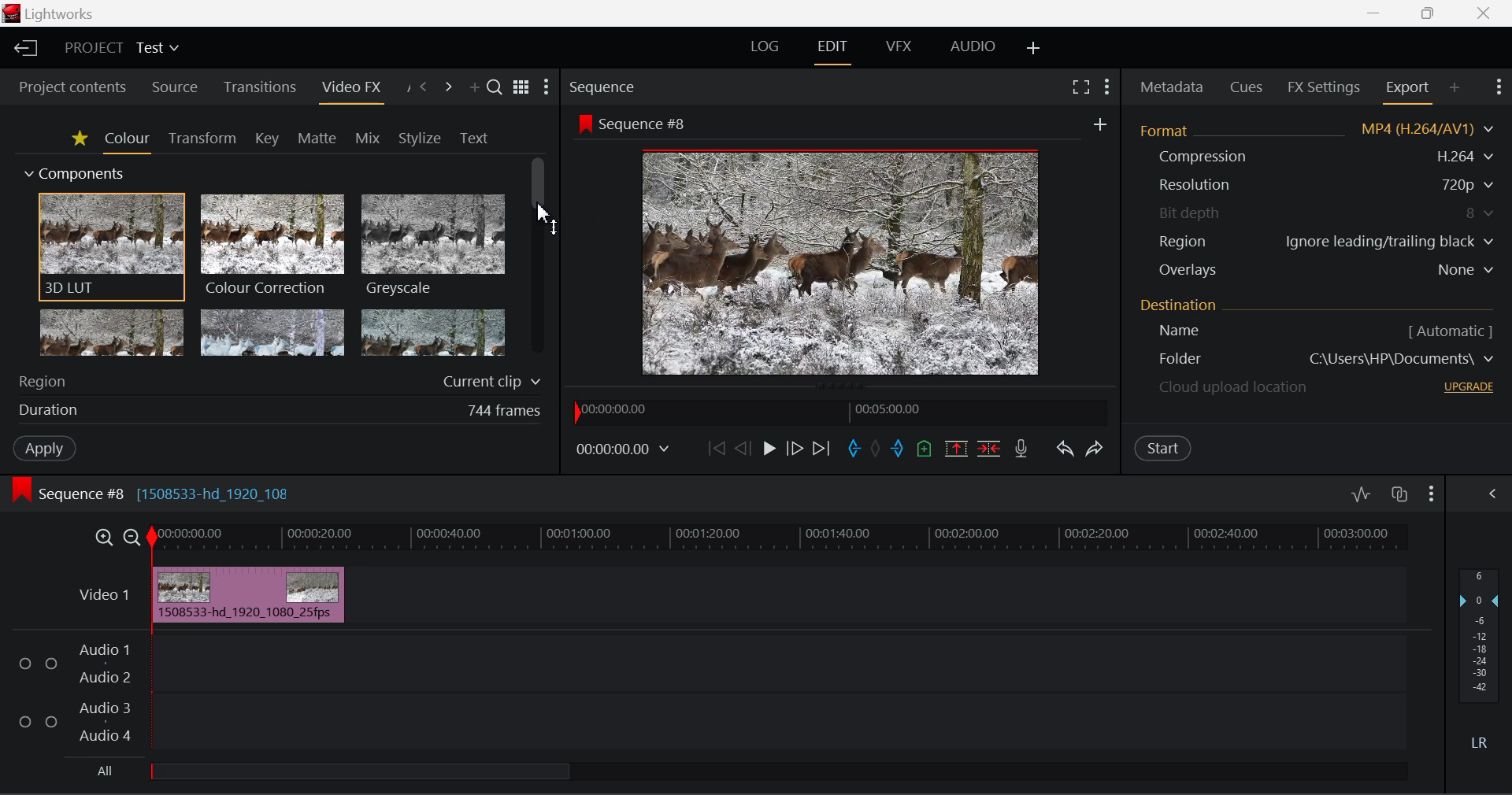  What do you see at coordinates (134, 537) in the screenshot?
I see `Timeline Zoom Out` at bounding box center [134, 537].